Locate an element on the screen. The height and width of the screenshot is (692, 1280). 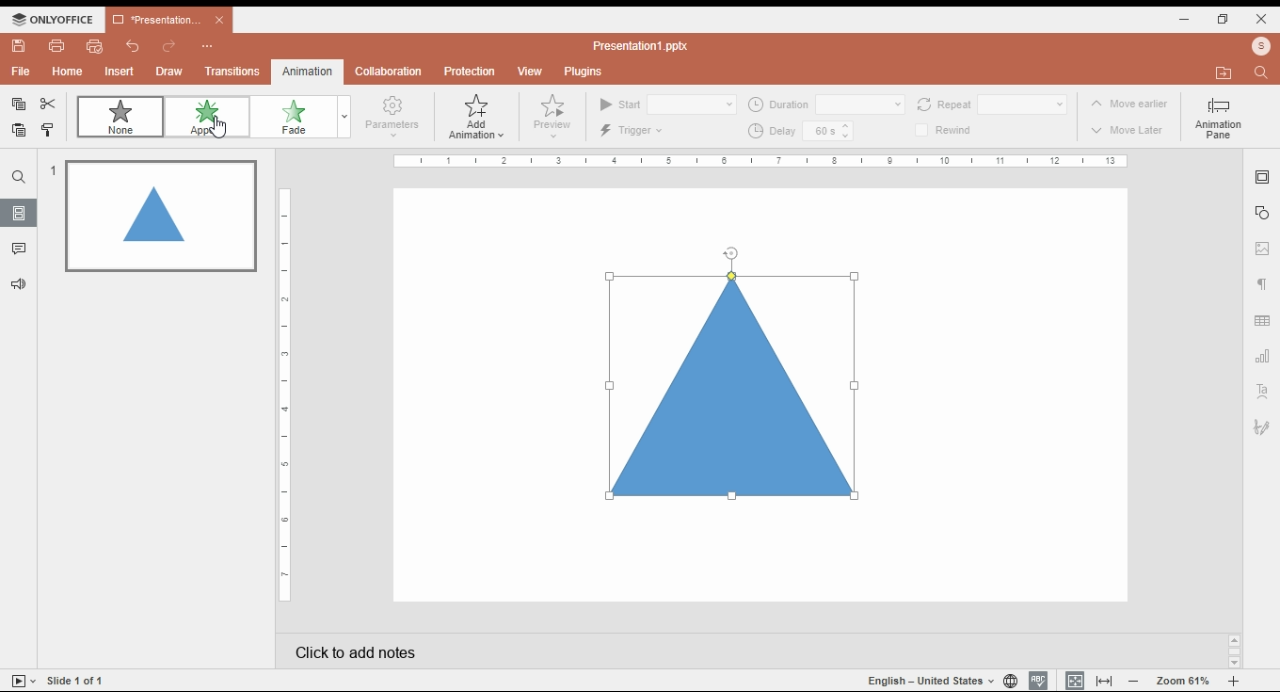
 is located at coordinates (1262, 428).